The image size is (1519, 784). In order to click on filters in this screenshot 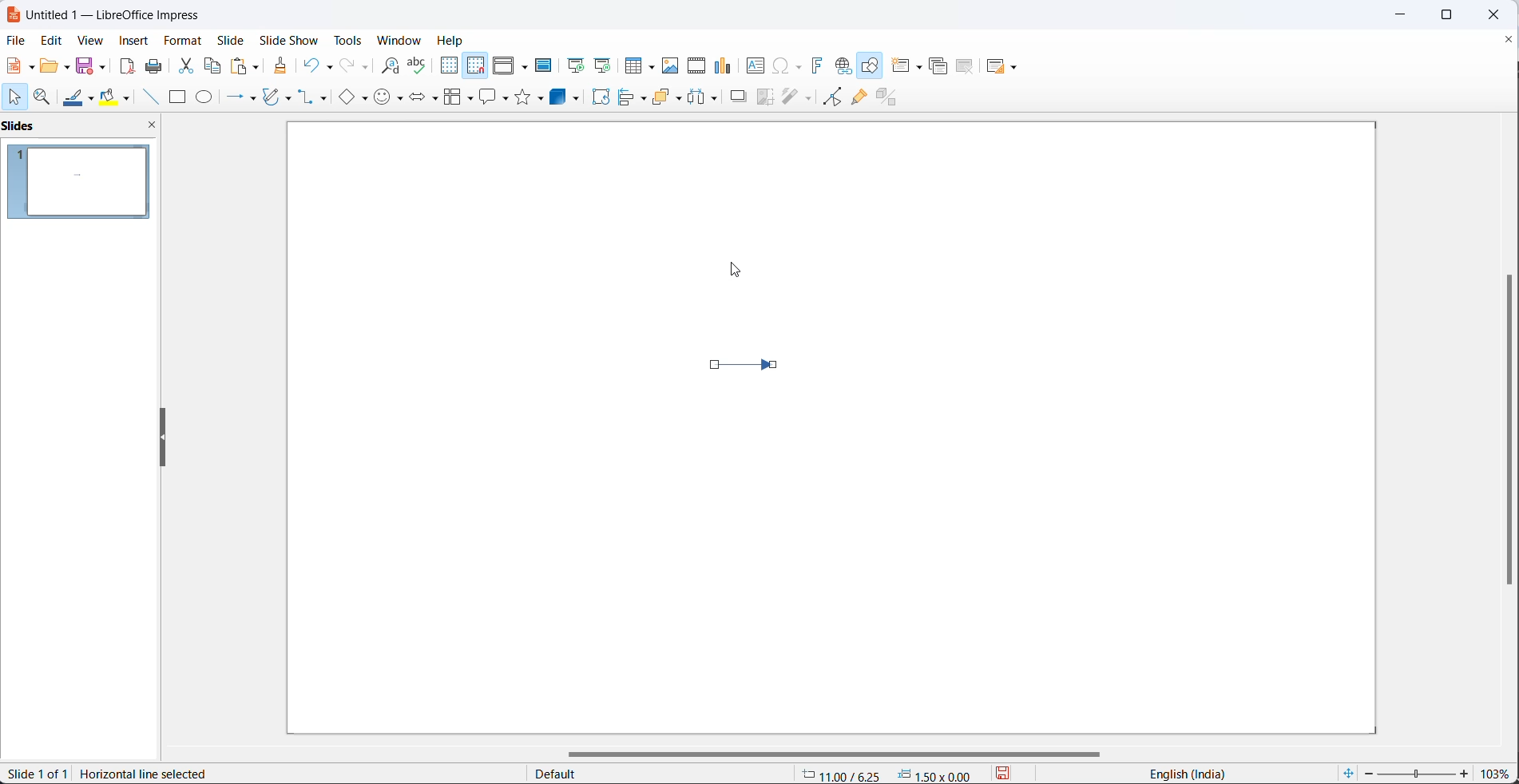, I will do `click(796, 98)`.